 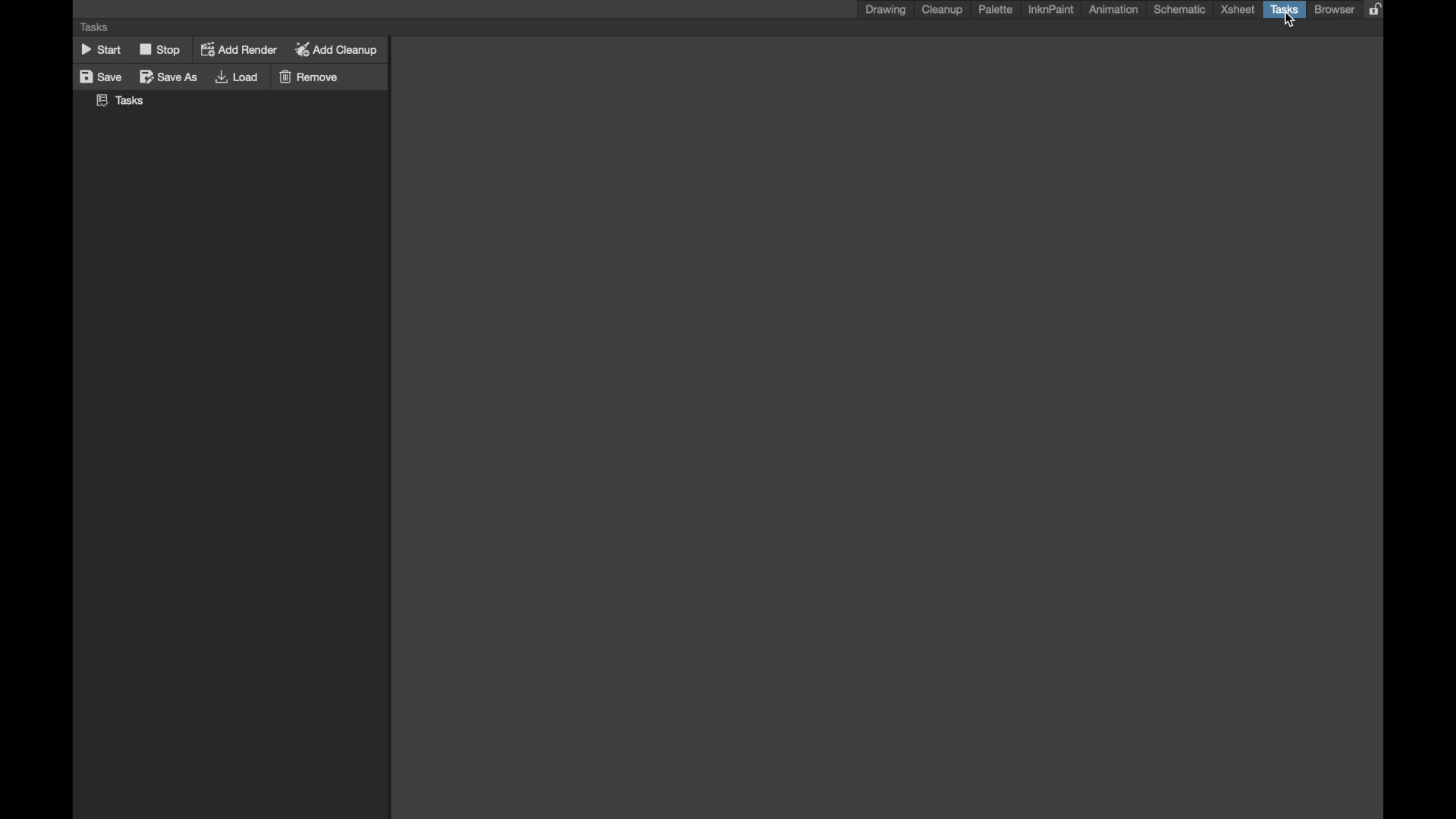 What do you see at coordinates (102, 76) in the screenshot?
I see `save` at bounding box center [102, 76].